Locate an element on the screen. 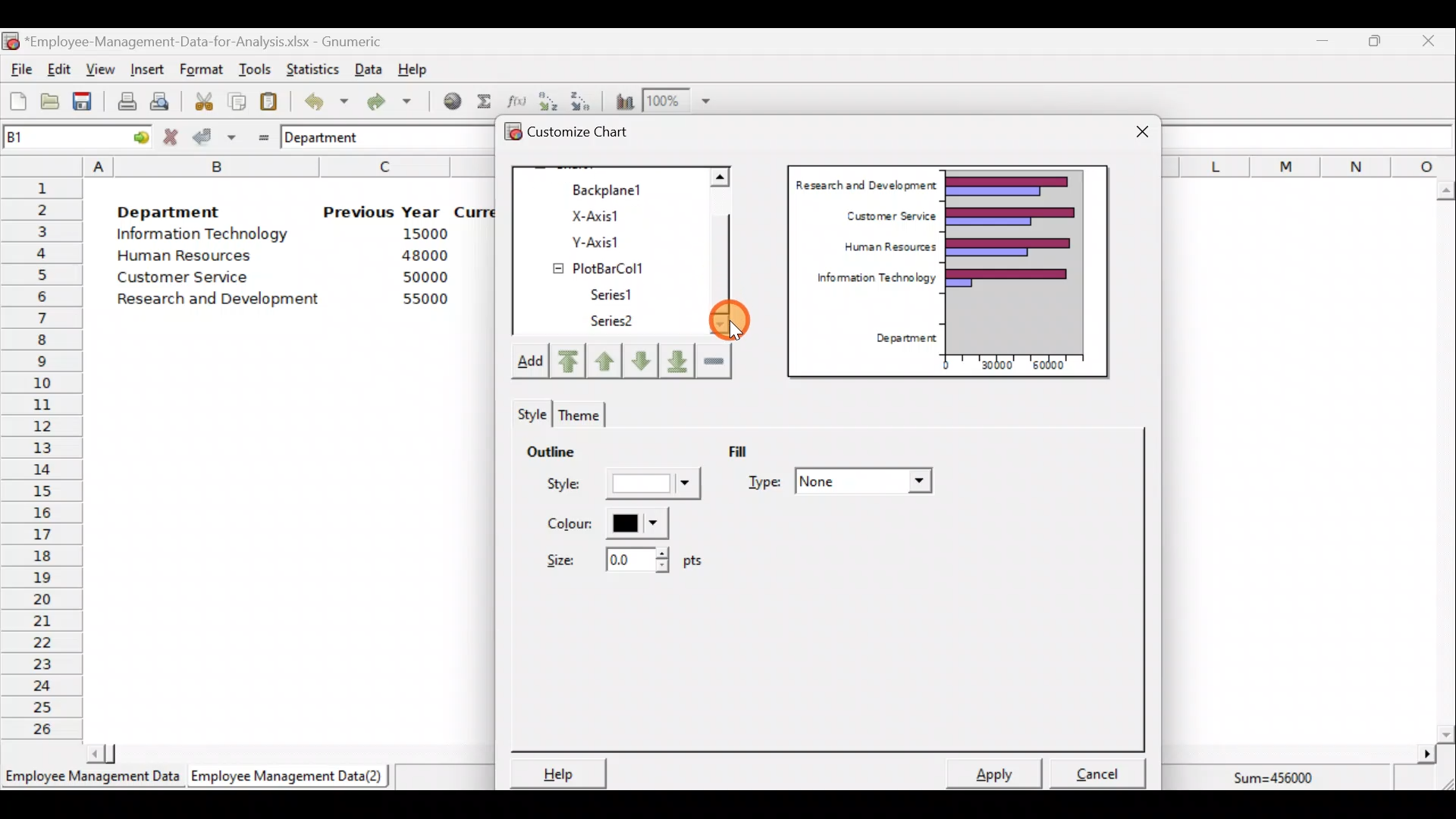 This screenshot has width=1456, height=819. Color is located at coordinates (604, 523).